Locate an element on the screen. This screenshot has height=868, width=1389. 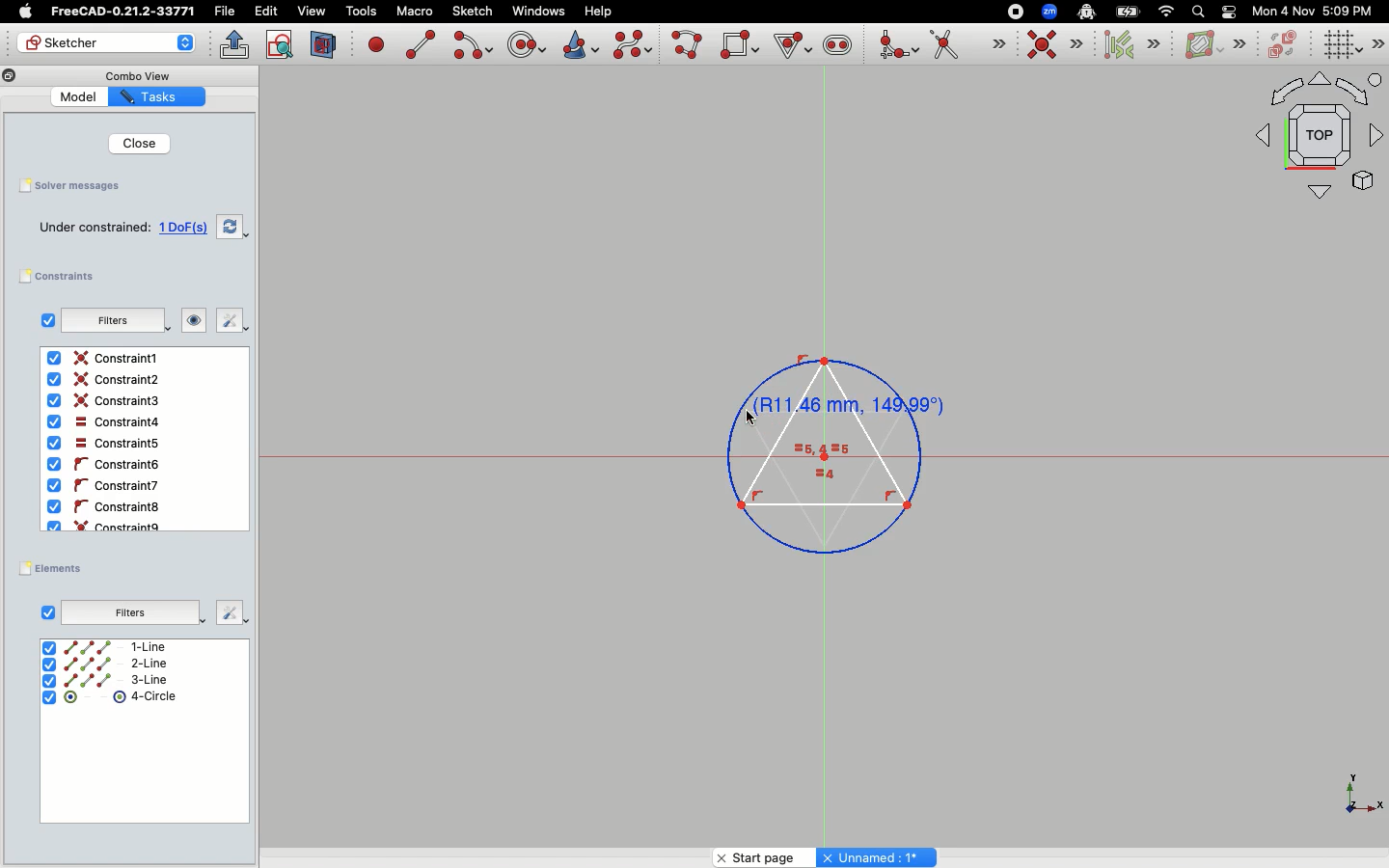
Create conic is located at coordinates (579, 43).